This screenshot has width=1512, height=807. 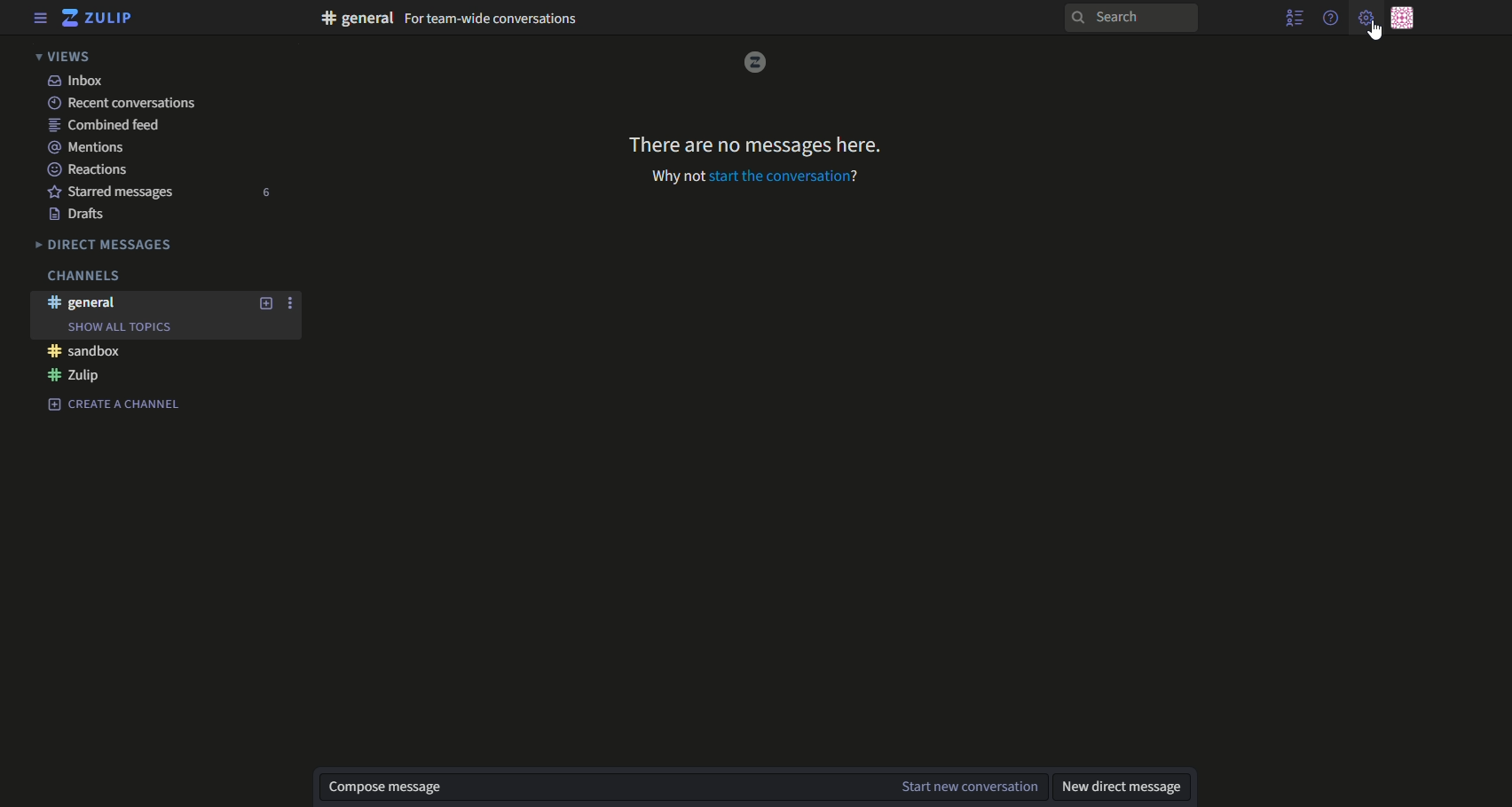 I want to click on logo, so click(x=754, y=62).